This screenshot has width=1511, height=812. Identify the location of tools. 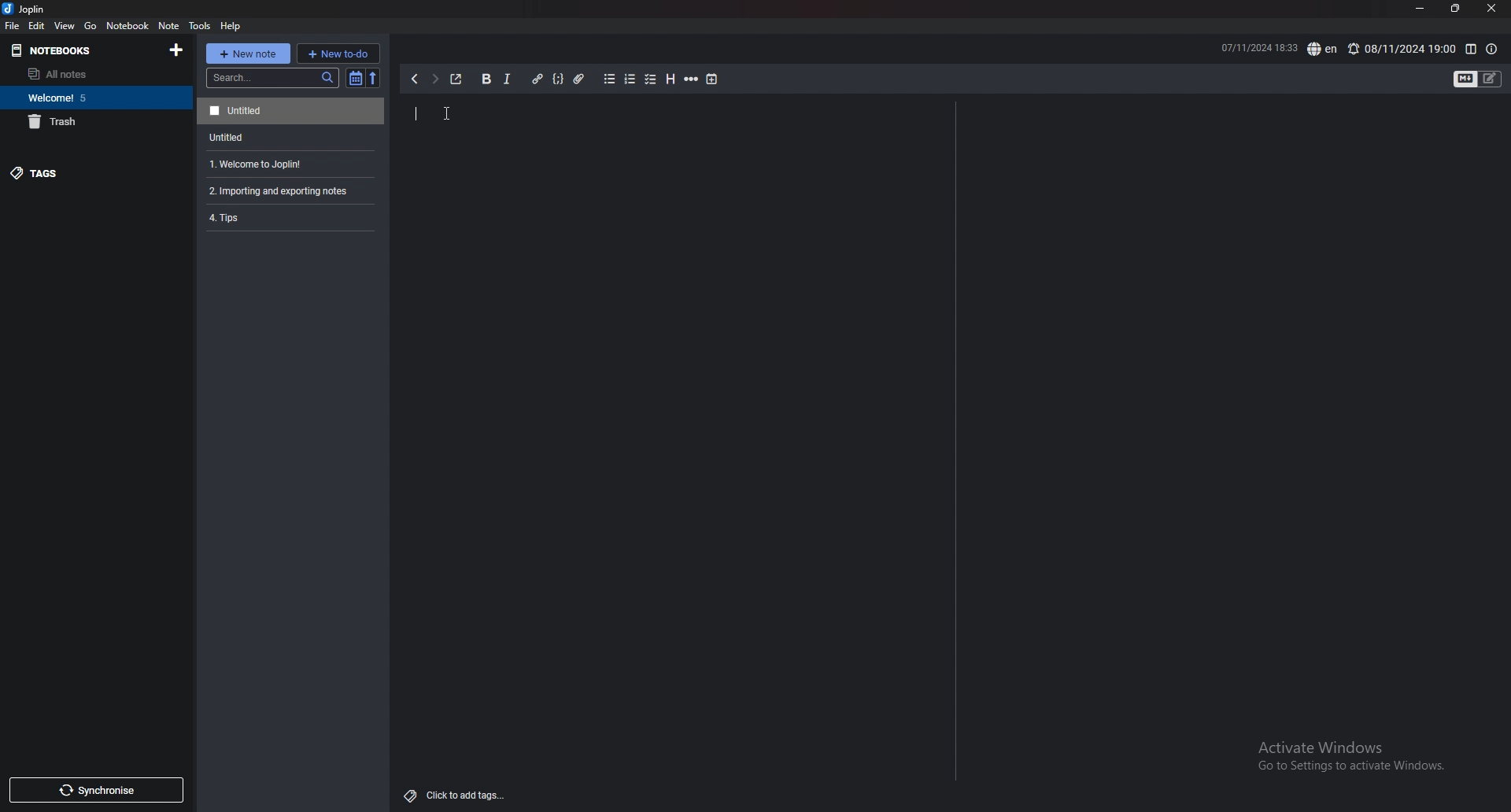
(199, 26).